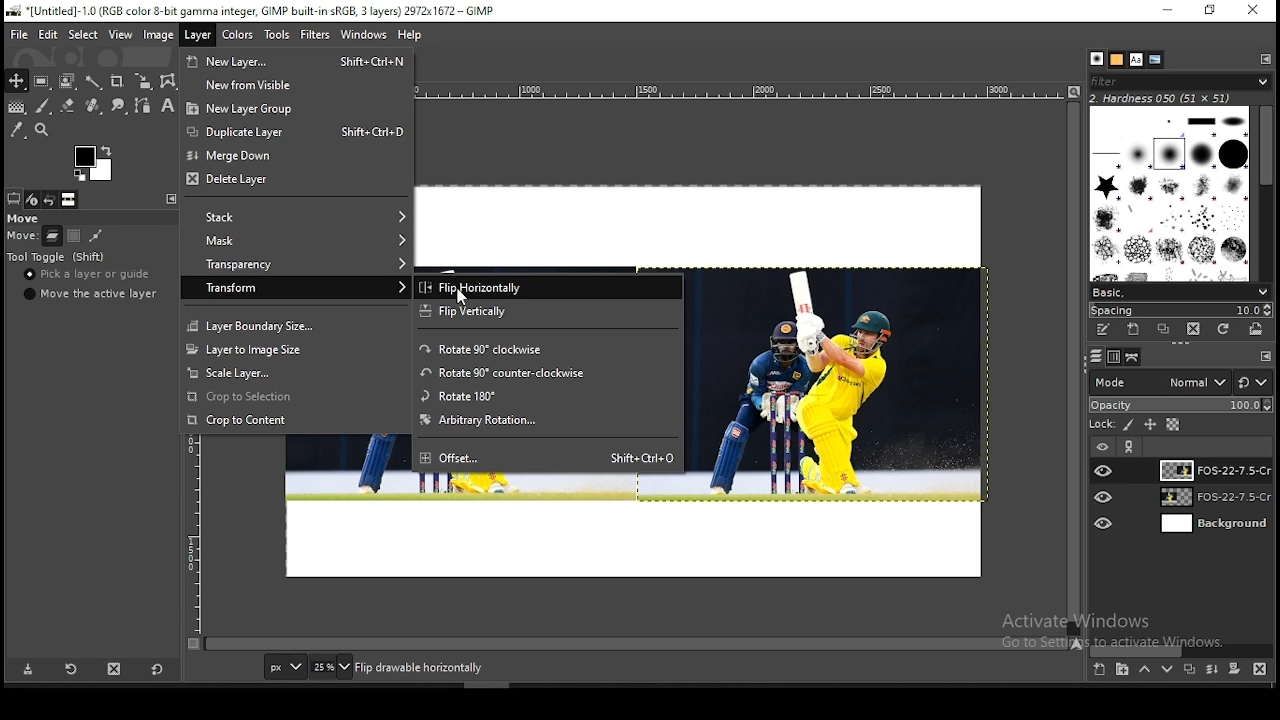  What do you see at coordinates (1122, 671) in the screenshot?
I see `new layer group` at bounding box center [1122, 671].